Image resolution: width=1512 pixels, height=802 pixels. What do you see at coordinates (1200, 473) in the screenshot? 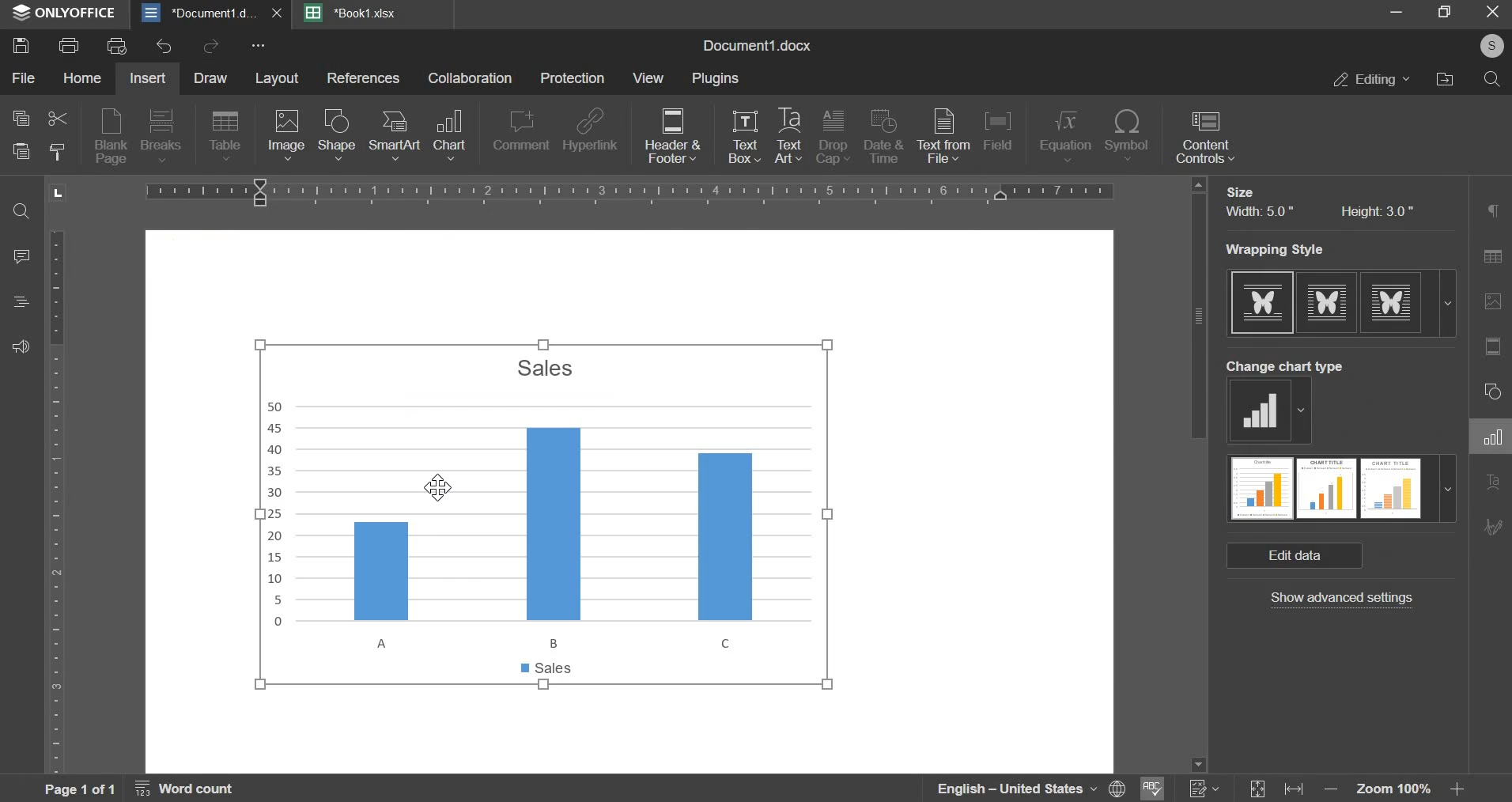
I see `scroll bar` at bounding box center [1200, 473].